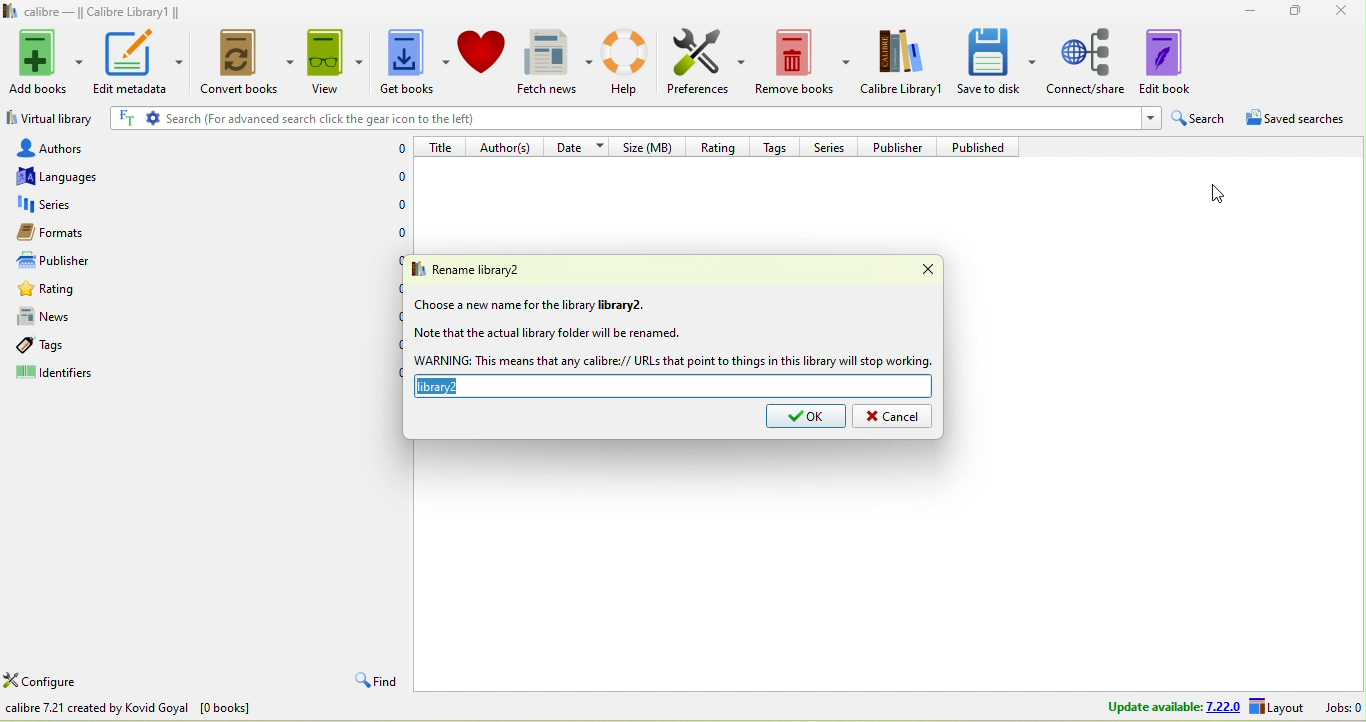 This screenshot has width=1366, height=722. Describe the element at coordinates (1342, 12) in the screenshot. I see `close` at that location.